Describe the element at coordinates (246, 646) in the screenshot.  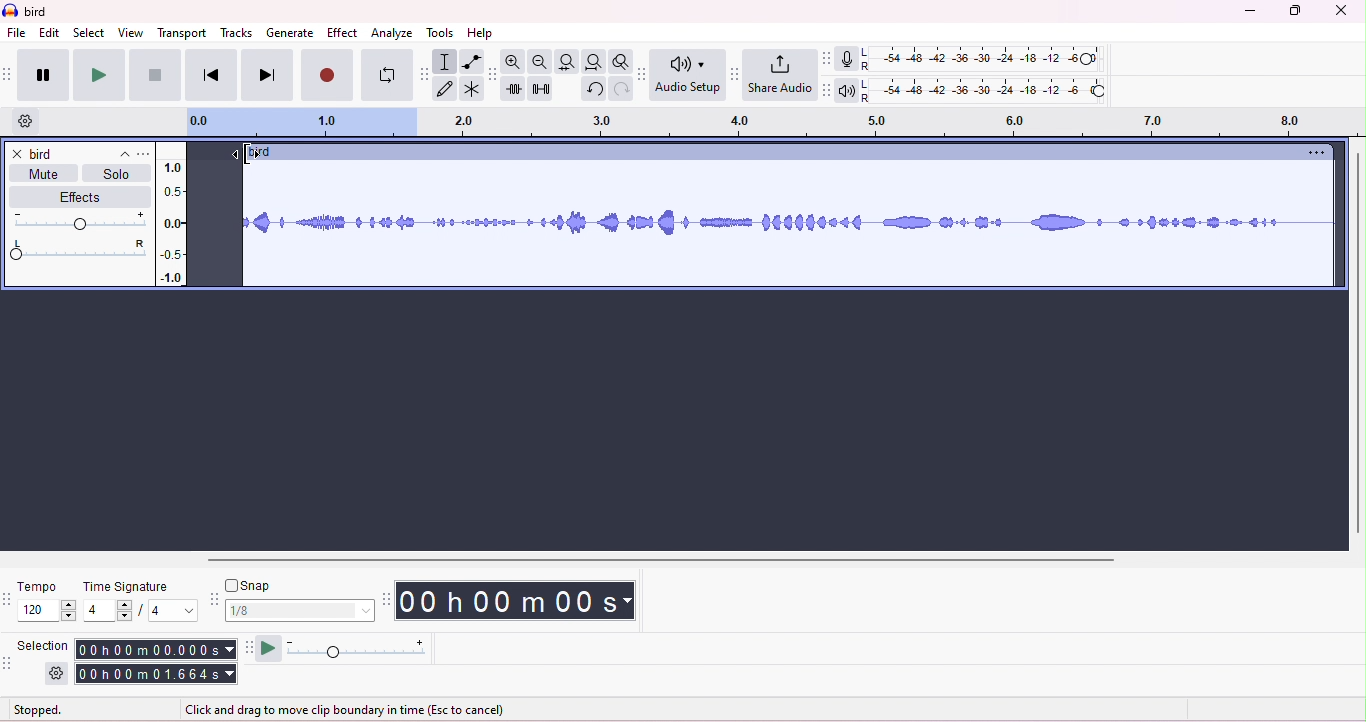
I see `play at speed tool bar` at that location.